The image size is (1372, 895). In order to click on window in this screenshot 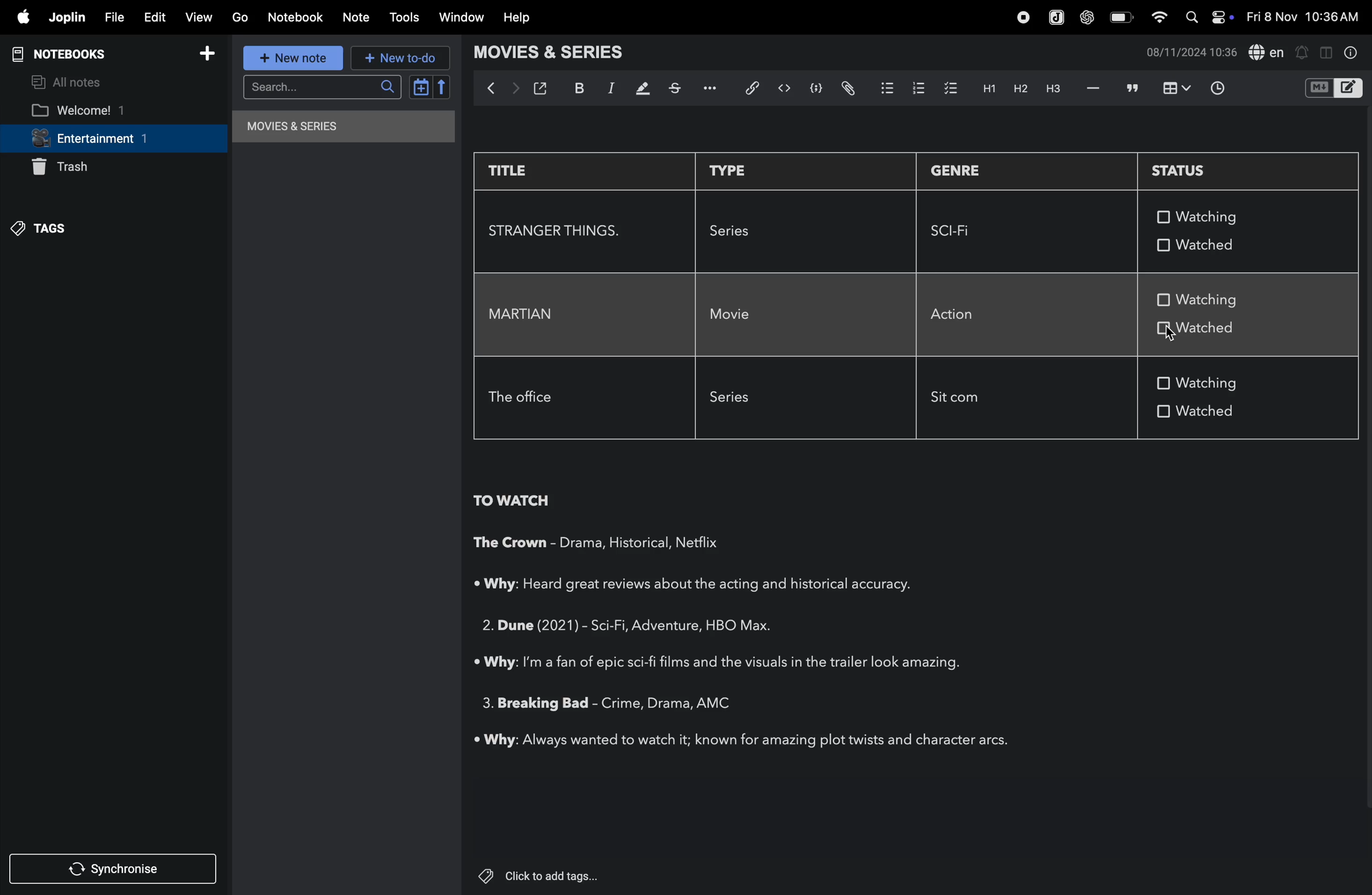, I will do `click(464, 16)`.